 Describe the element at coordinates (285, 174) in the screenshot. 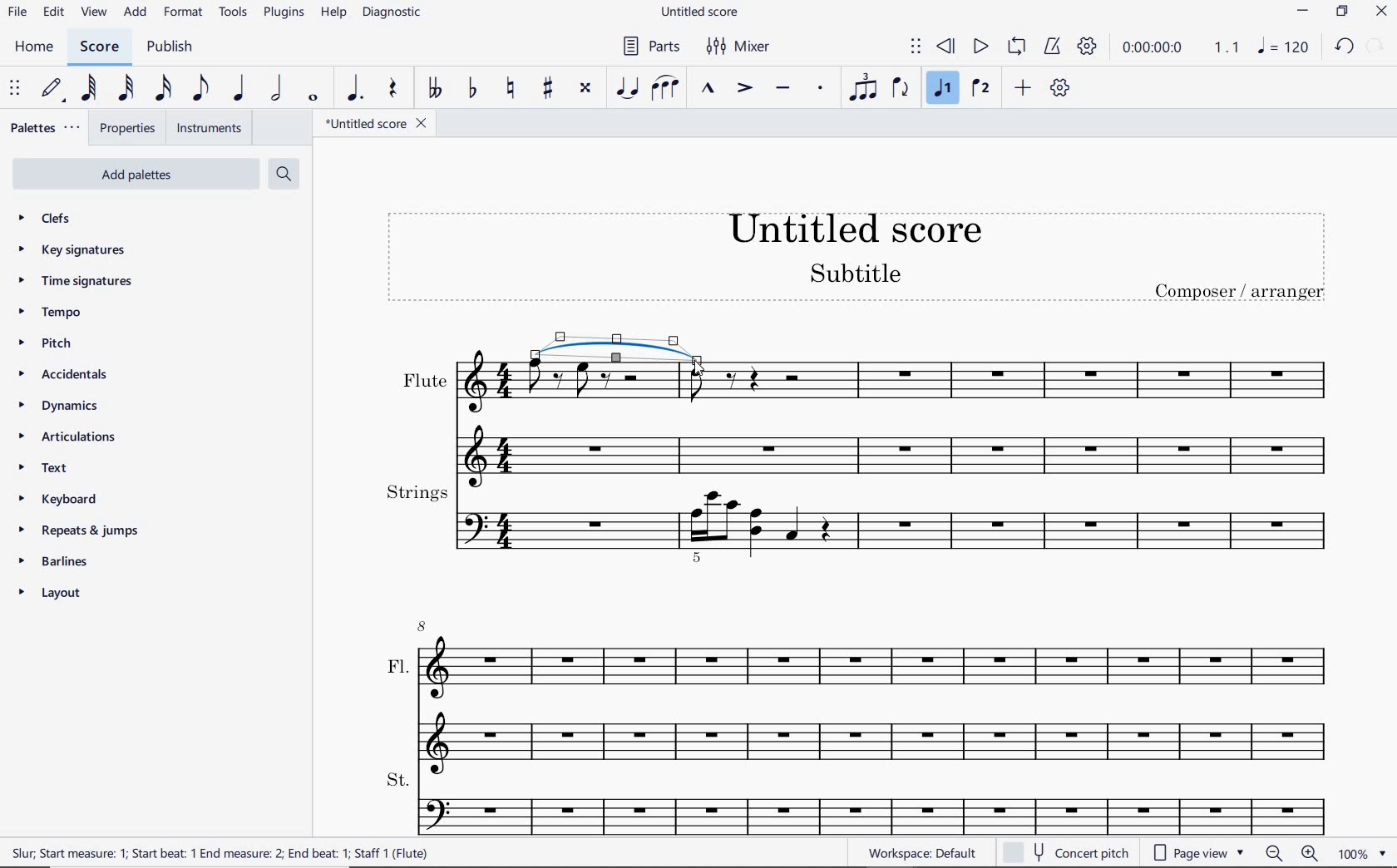

I see `search palettes` at that location.